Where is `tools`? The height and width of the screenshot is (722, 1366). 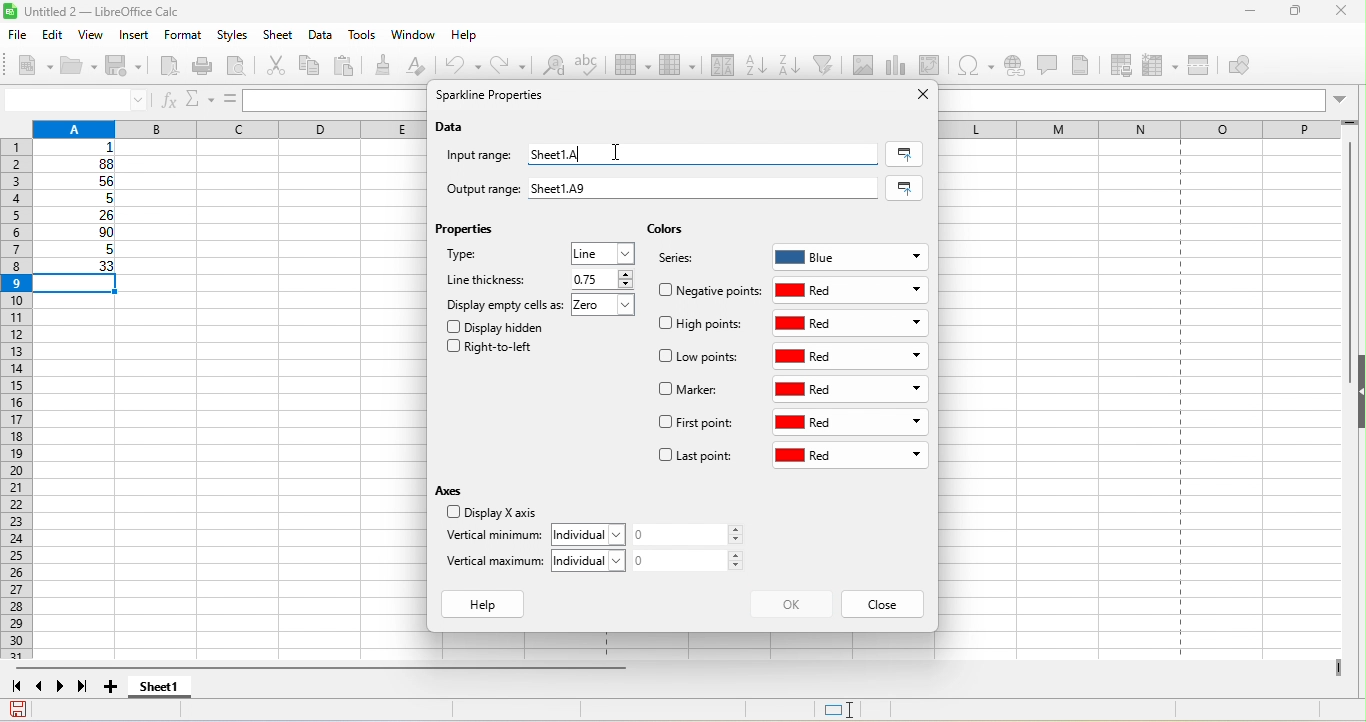 tools is located at coordinates (367, 37).